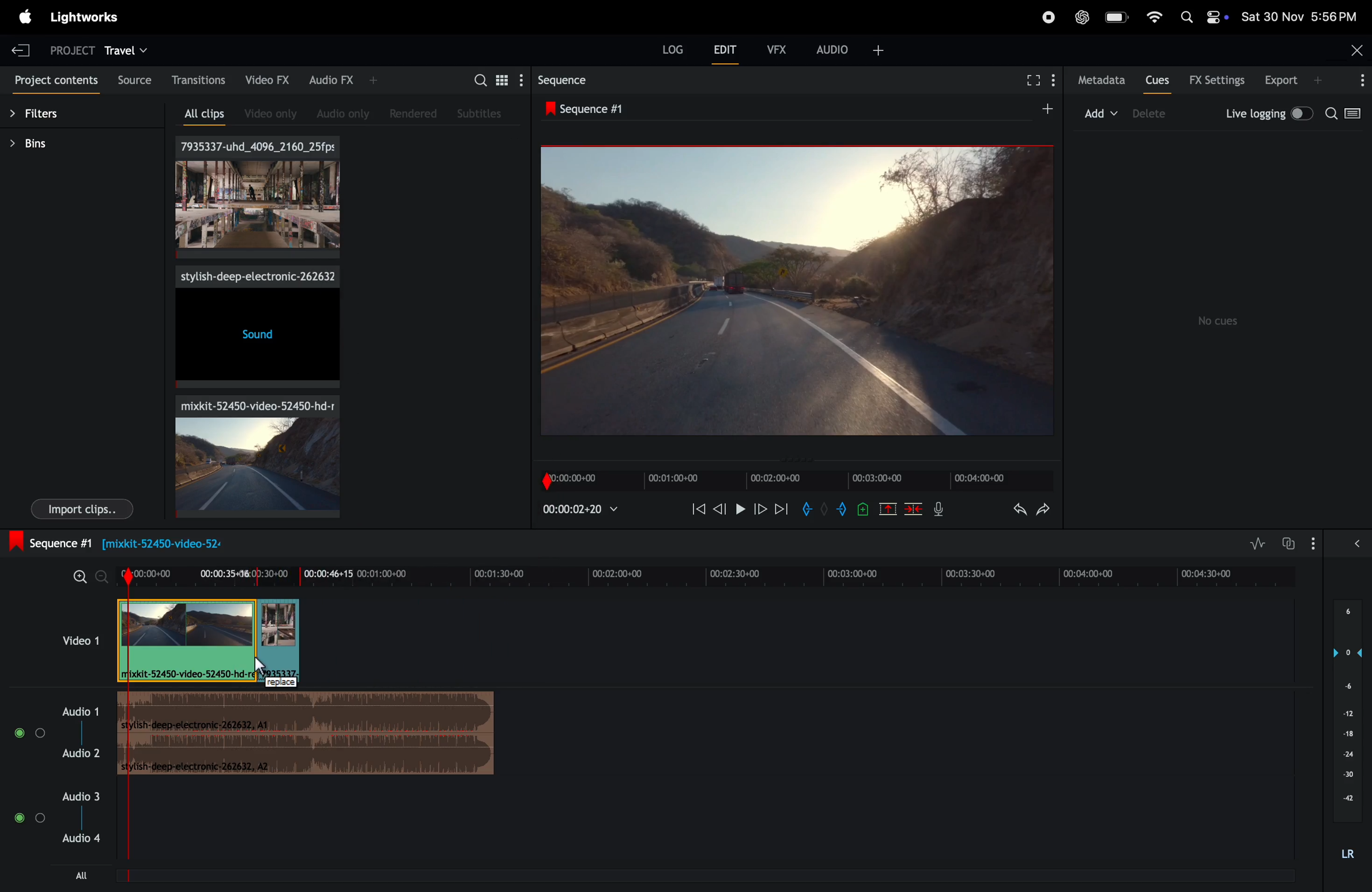  What do you see at coordinates (133, 78) in the screenshot?
I see `source` at bounding box center [133, 78].